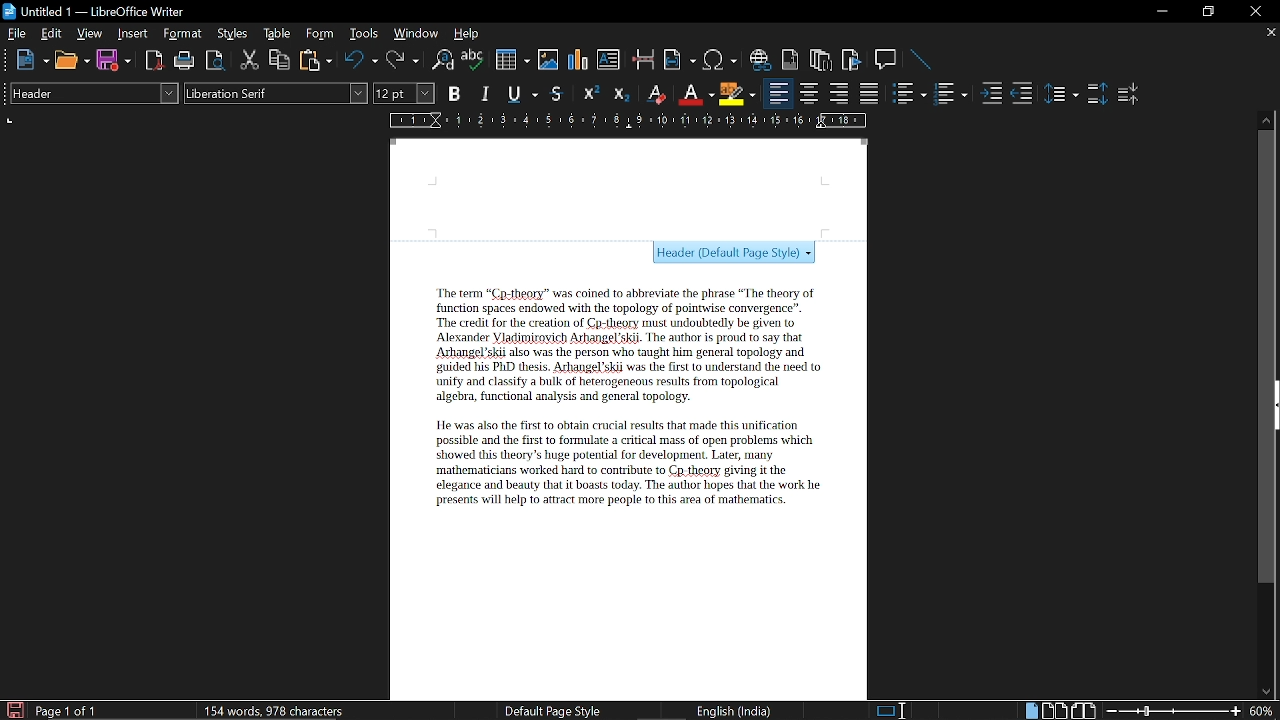  I want to click on Insert text, so click(608, 59).